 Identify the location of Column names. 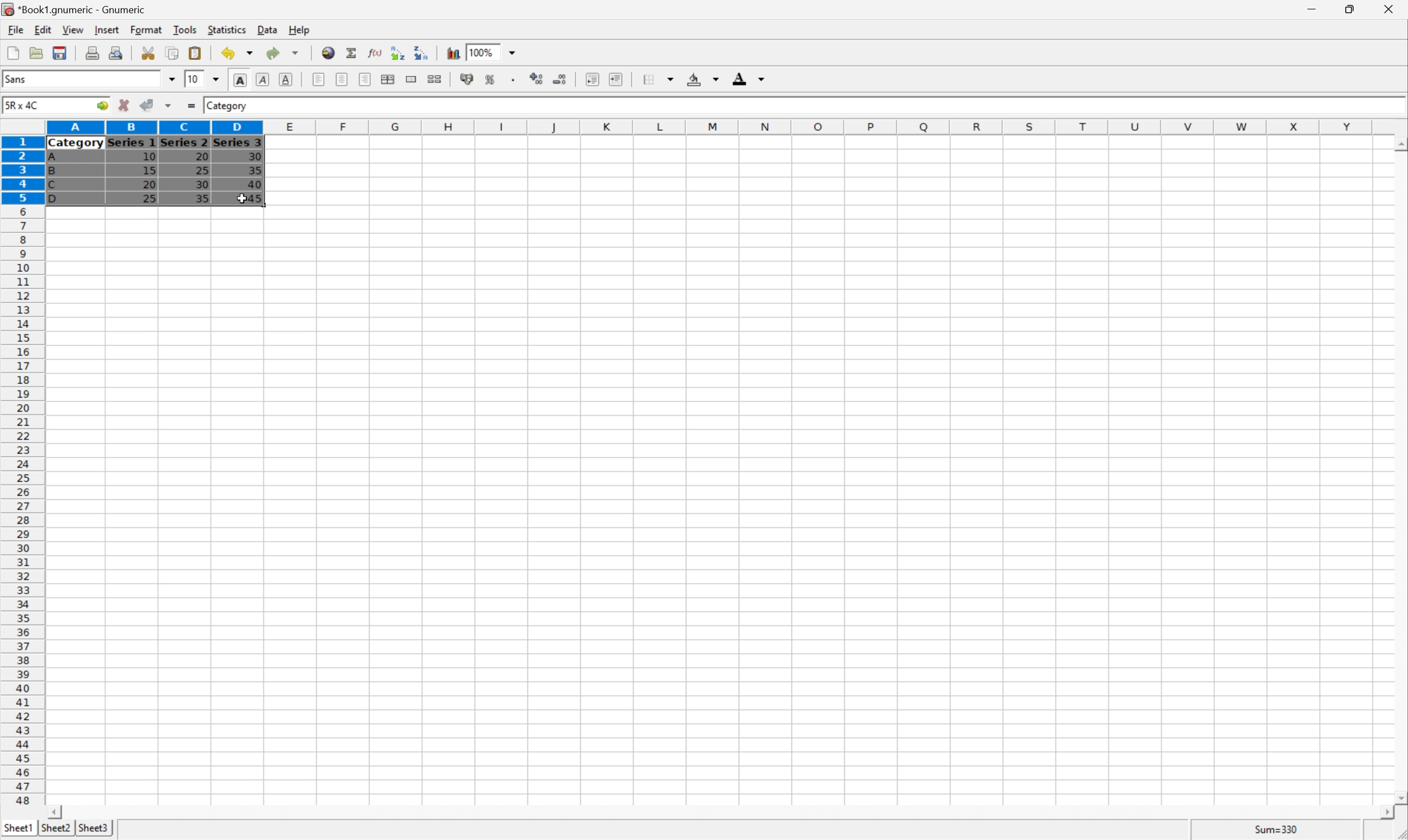
(713, 128).